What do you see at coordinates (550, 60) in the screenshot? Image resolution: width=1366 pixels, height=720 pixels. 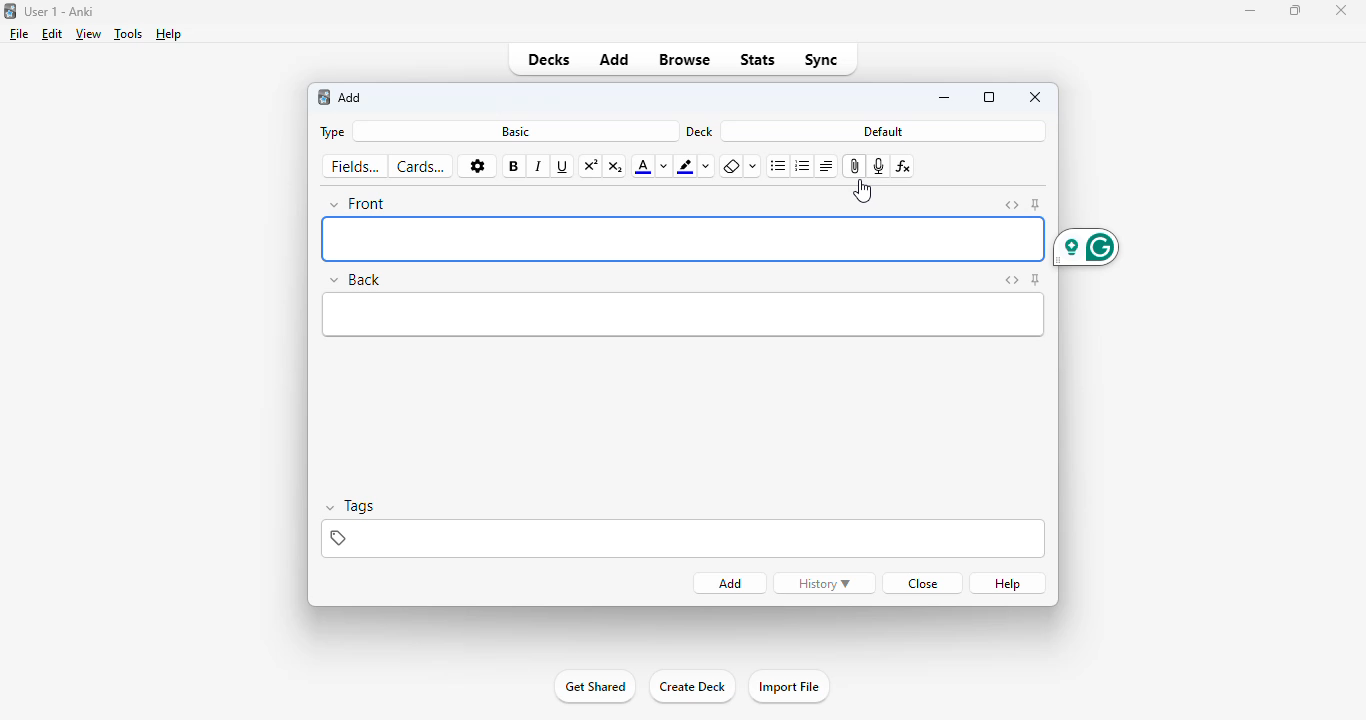 I see `decks` at bounding box center [550, 60].